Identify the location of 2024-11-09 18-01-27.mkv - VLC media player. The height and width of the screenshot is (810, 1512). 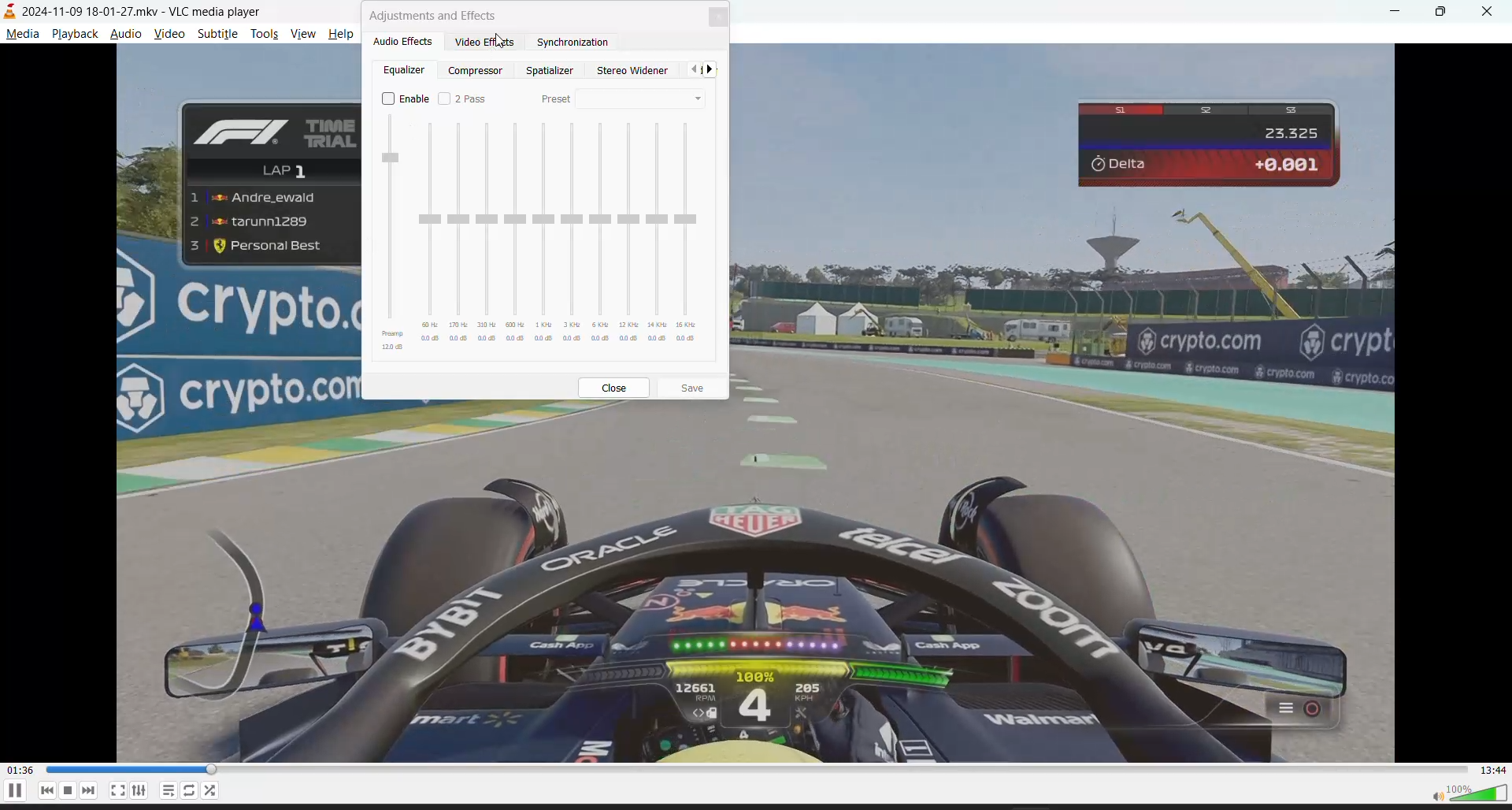
(139, 11).